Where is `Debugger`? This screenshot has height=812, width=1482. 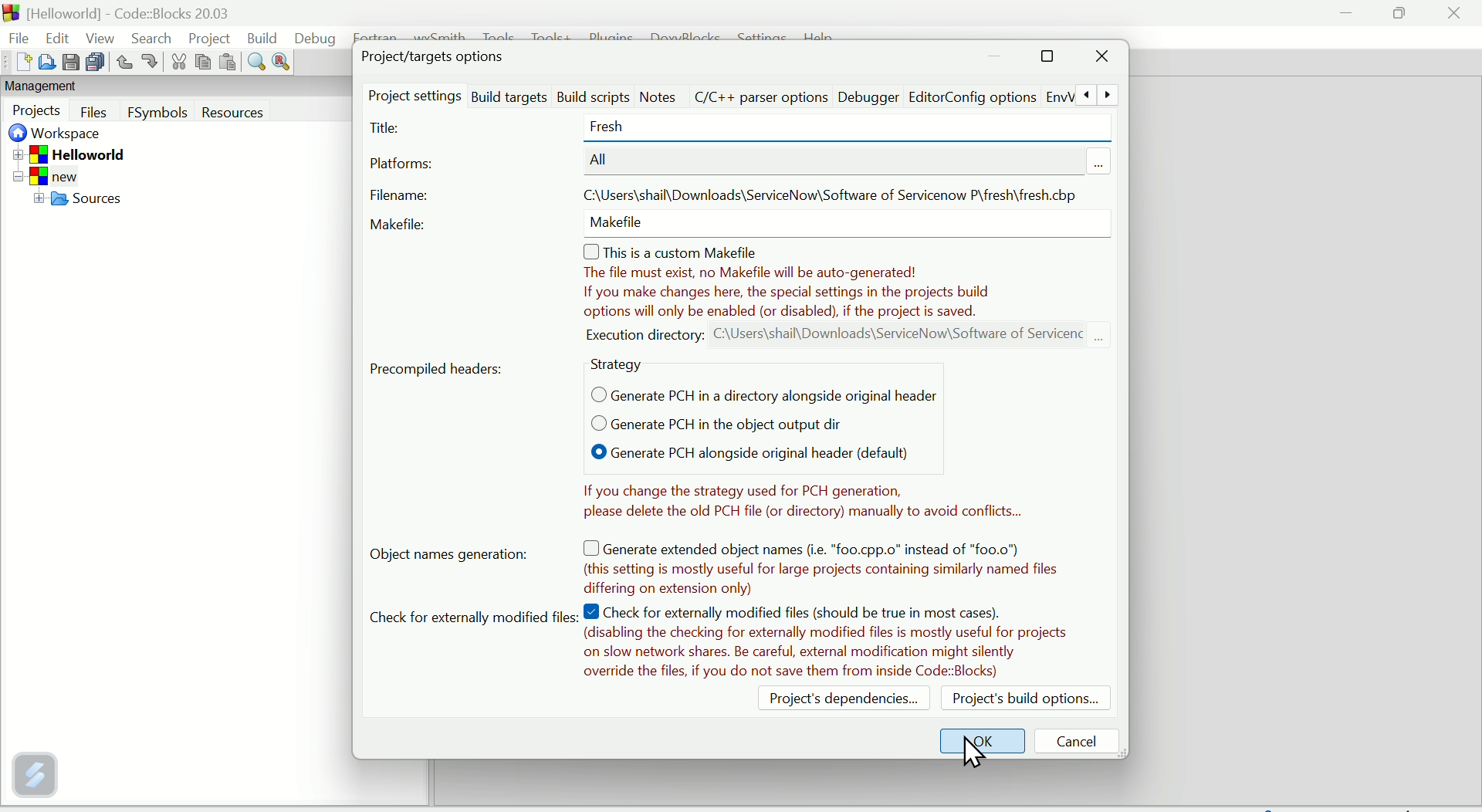
Debugger is located at coordinates (867, 97).